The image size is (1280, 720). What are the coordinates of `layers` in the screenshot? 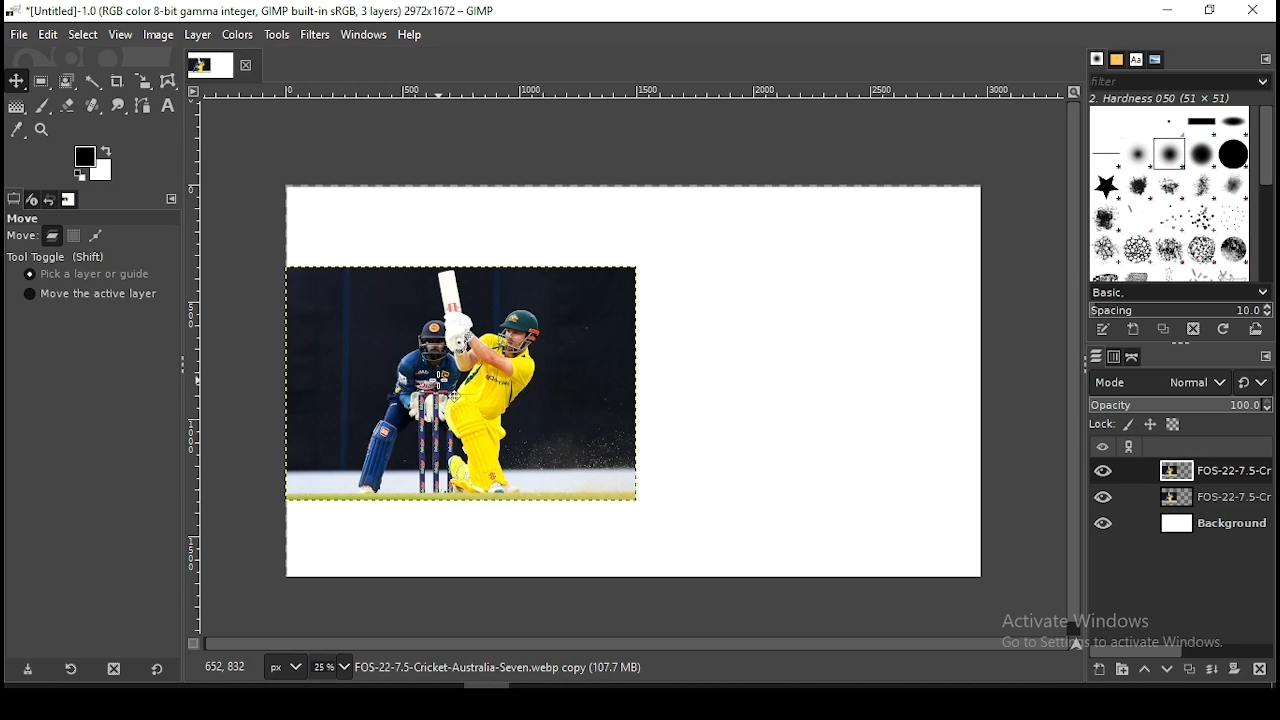 It's located at (1094, 357).